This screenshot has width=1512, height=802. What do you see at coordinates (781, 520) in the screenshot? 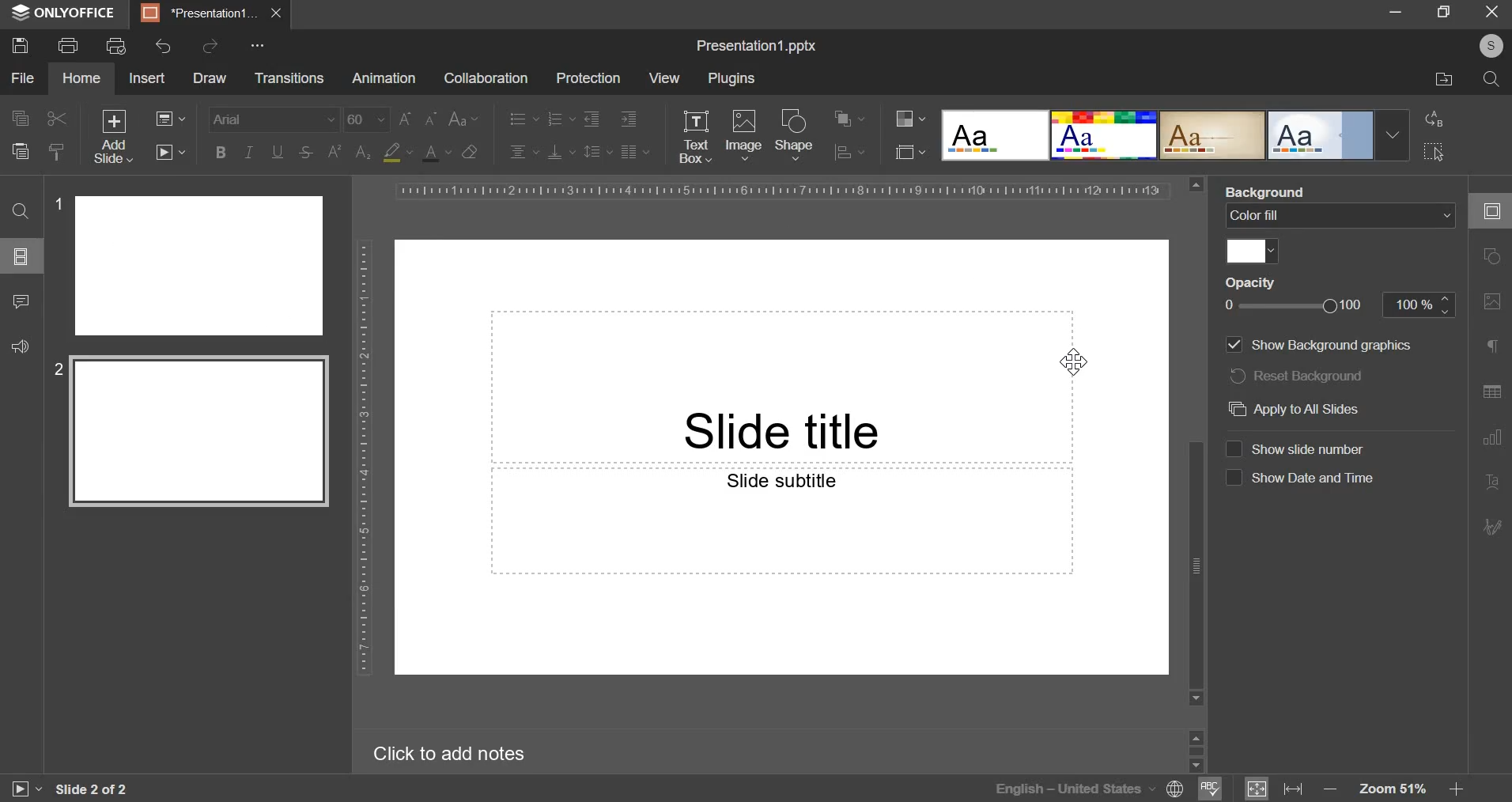
I see `slide subtitle` at bounding box center [781, 520].